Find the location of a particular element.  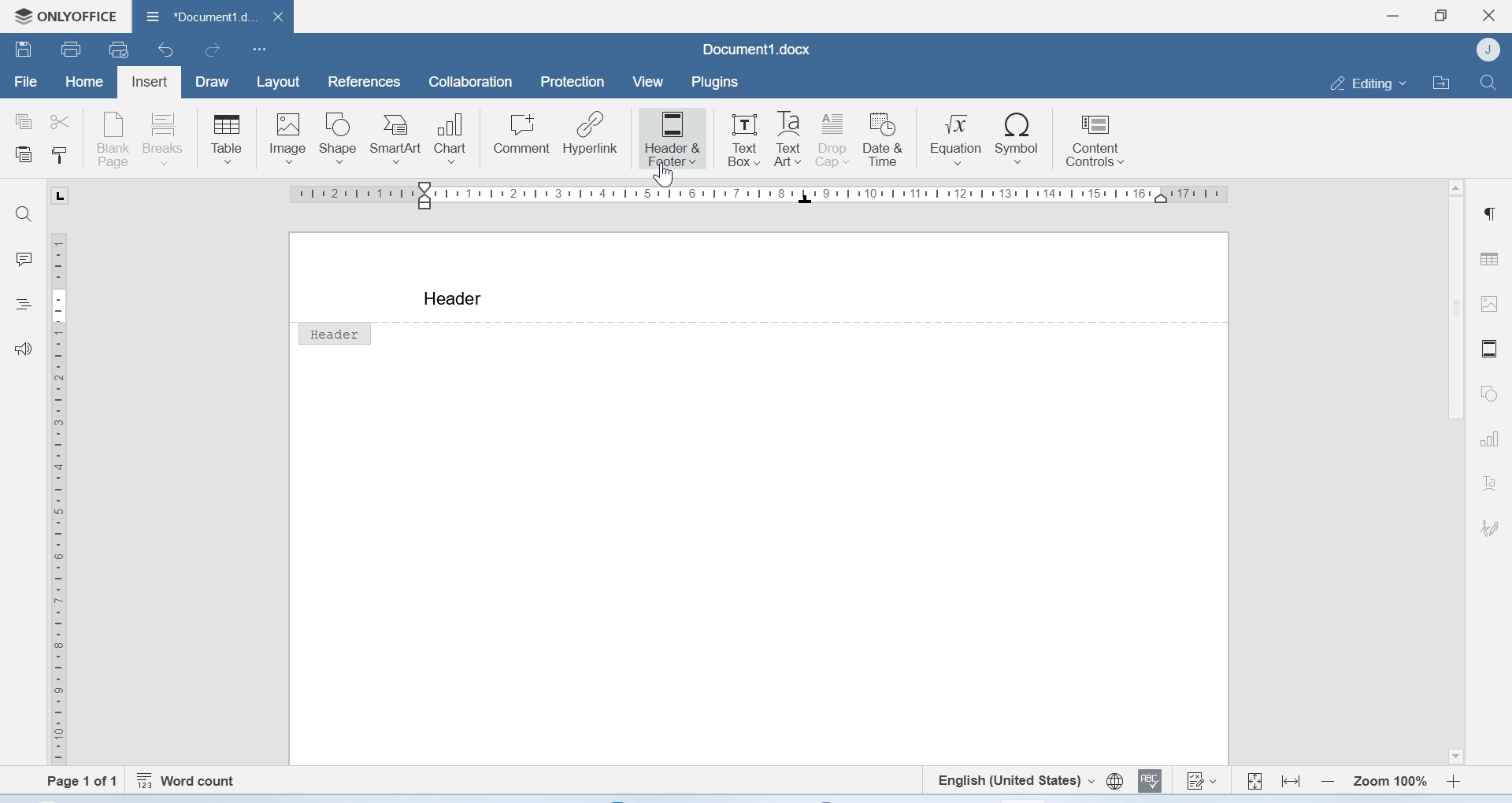

Editing is located at coordinates (1364, 82).